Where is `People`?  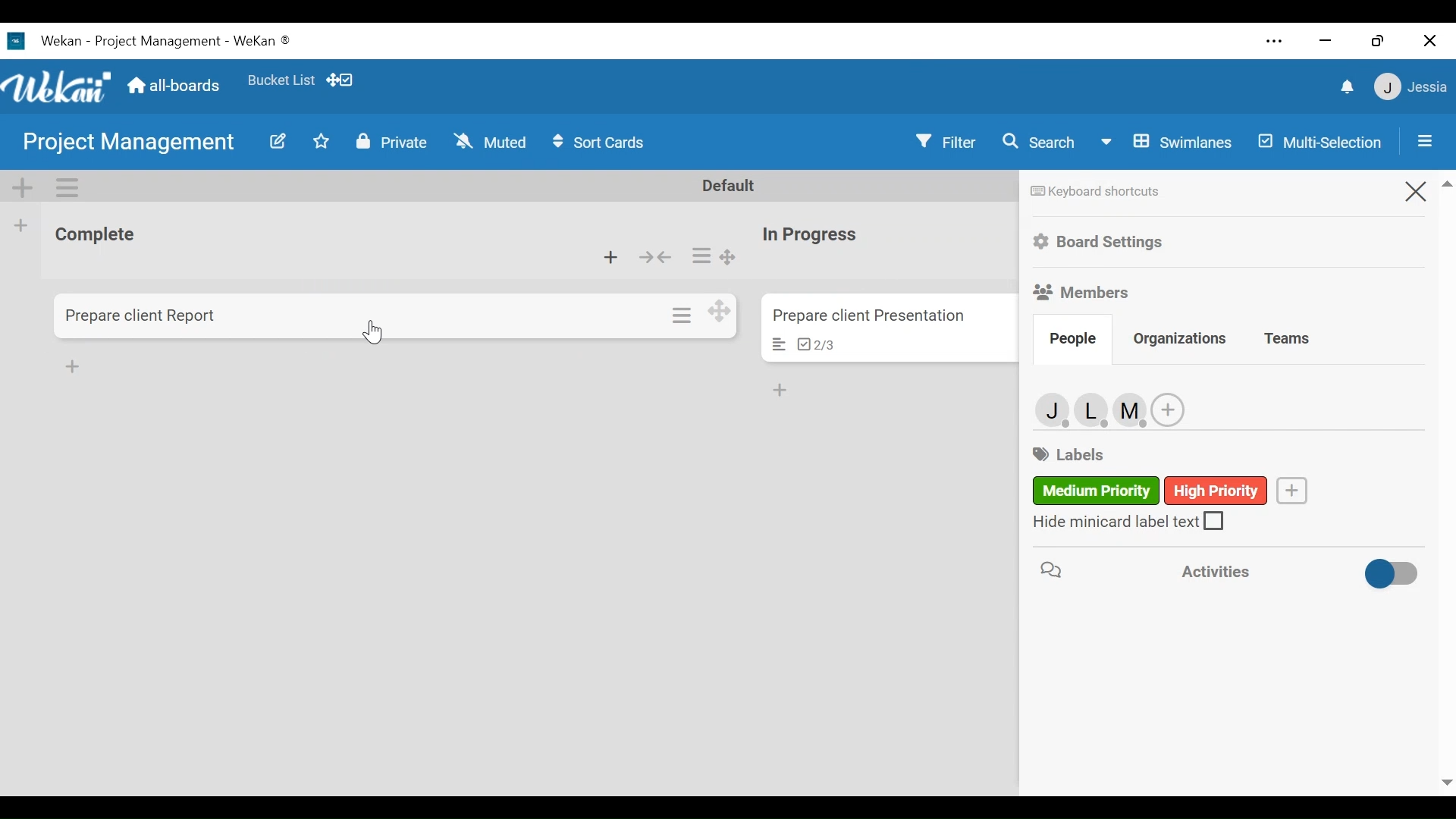 People is located at coordinates (1072, 342).